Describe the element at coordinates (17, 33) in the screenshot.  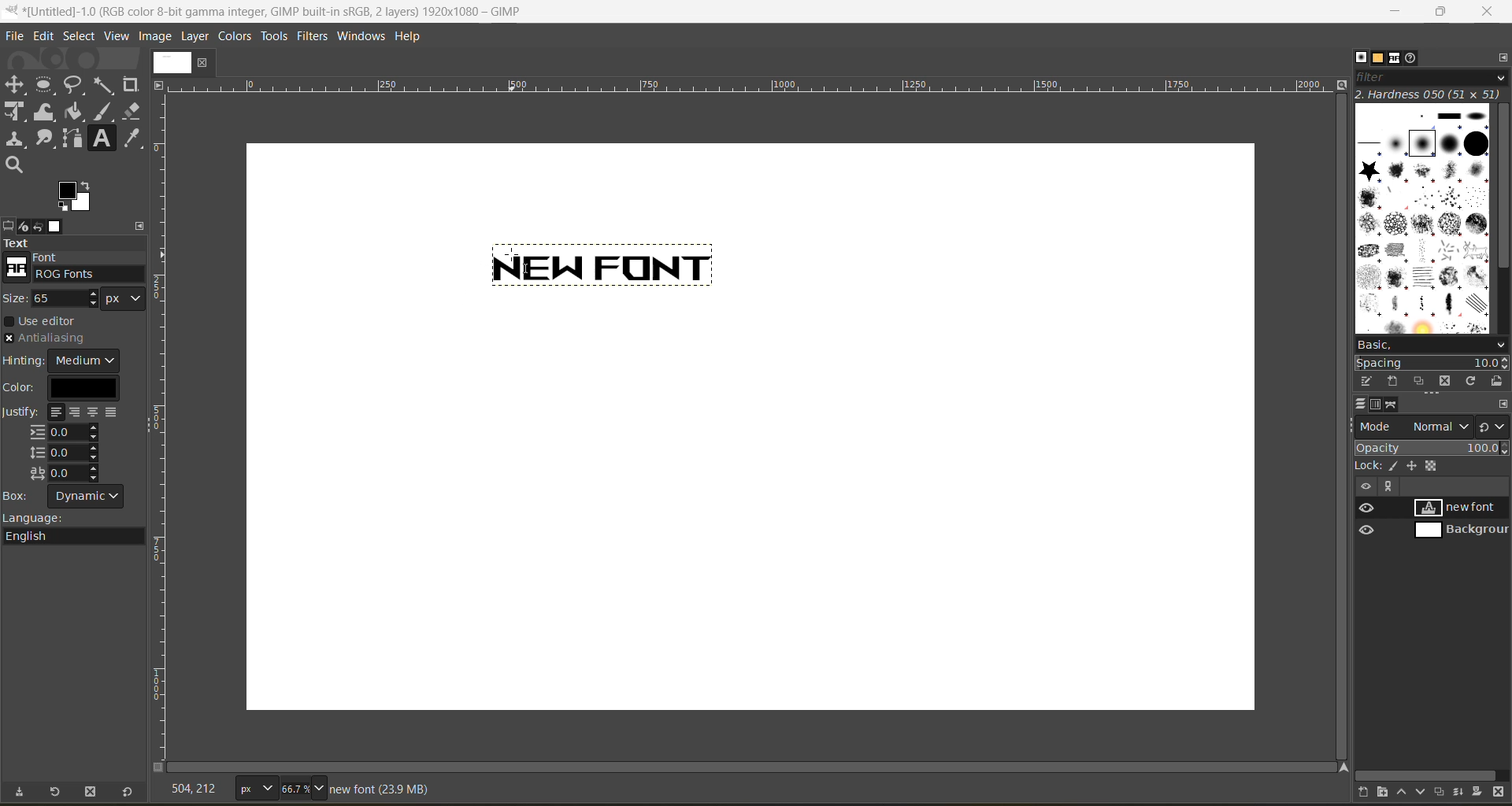
I see `file` at that location.